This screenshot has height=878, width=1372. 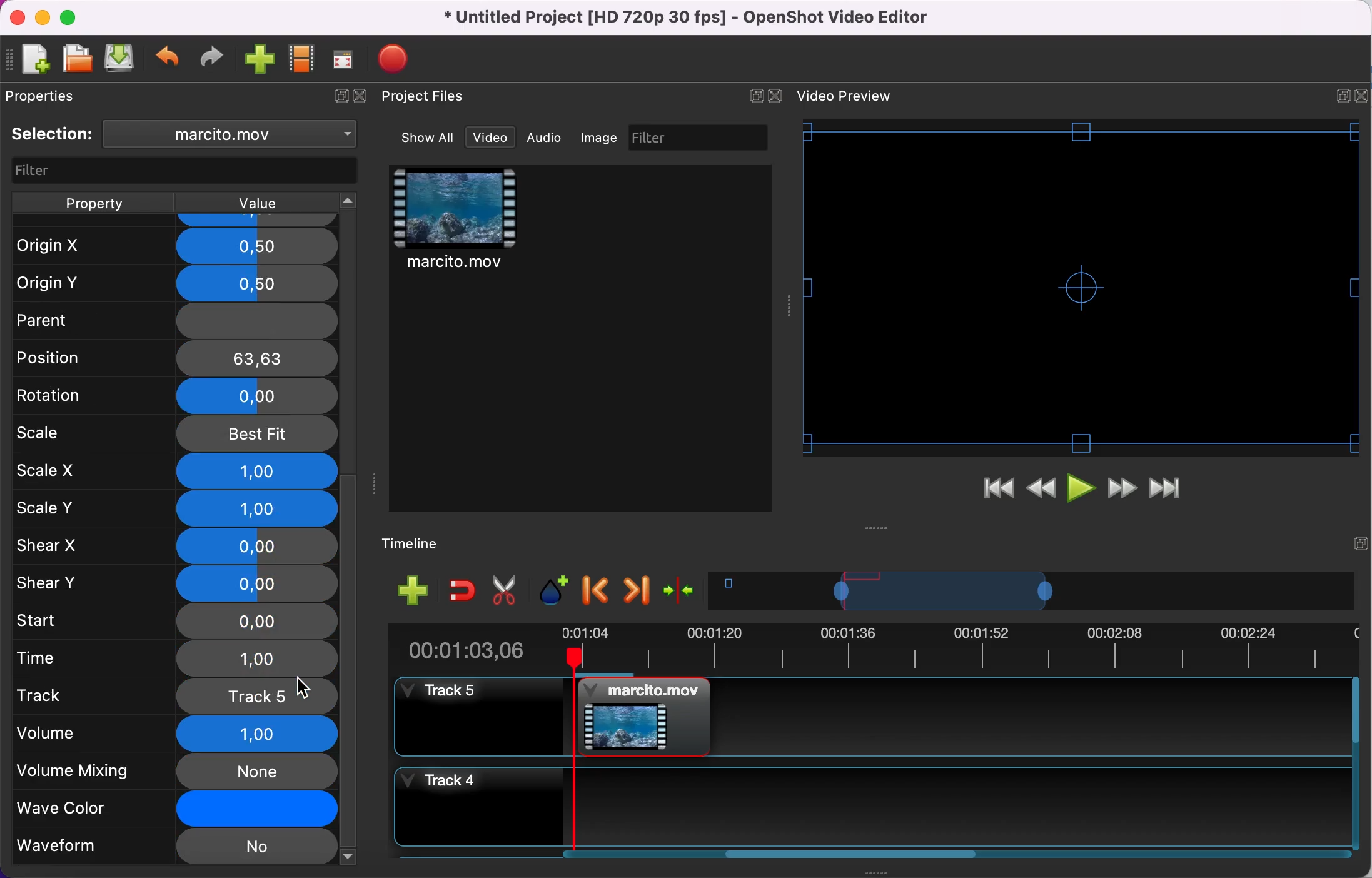 I want to click on jump to end, so click(x=1166, y=490).